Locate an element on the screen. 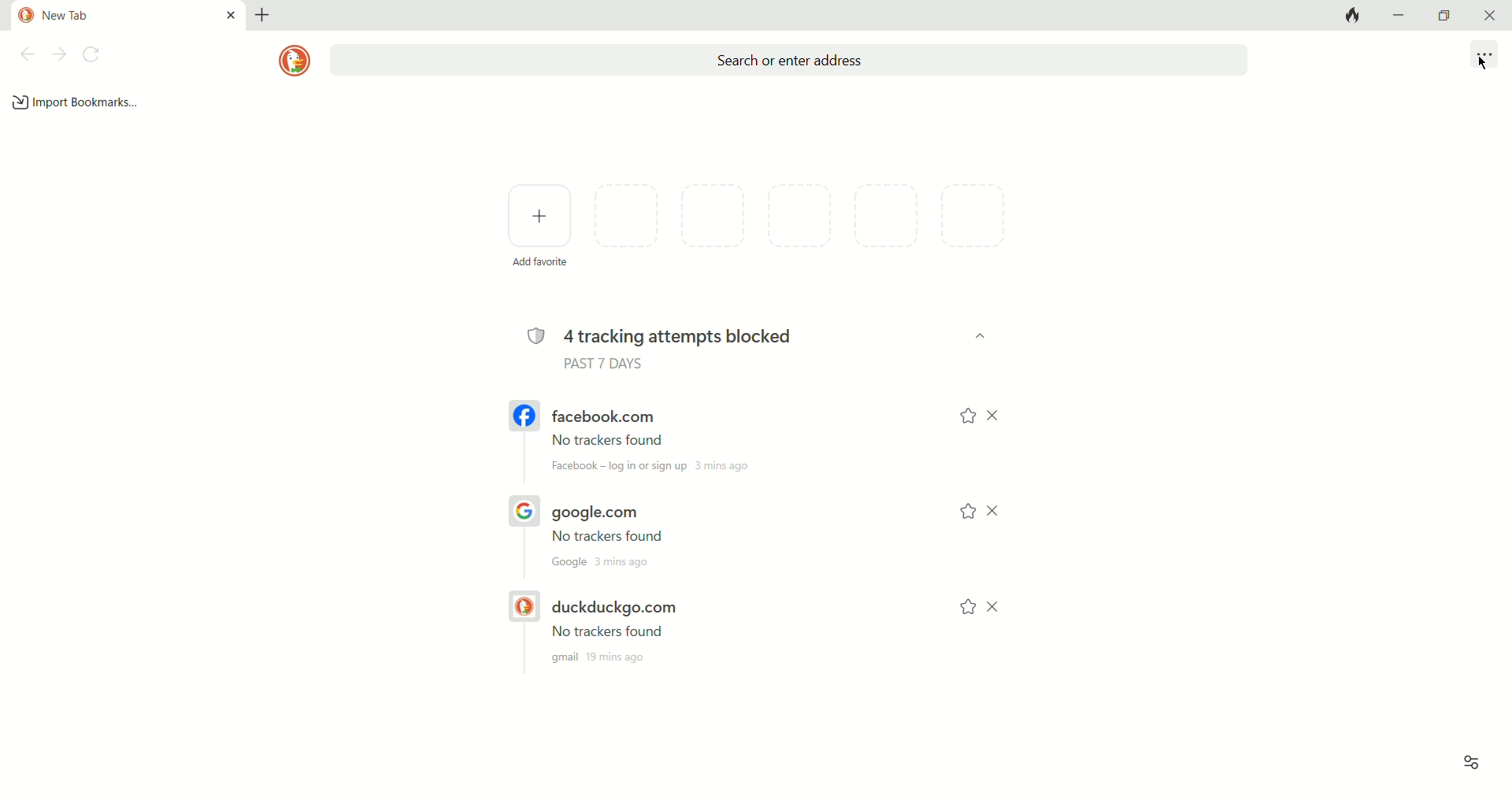  close is located at coordinates (1004, 605).